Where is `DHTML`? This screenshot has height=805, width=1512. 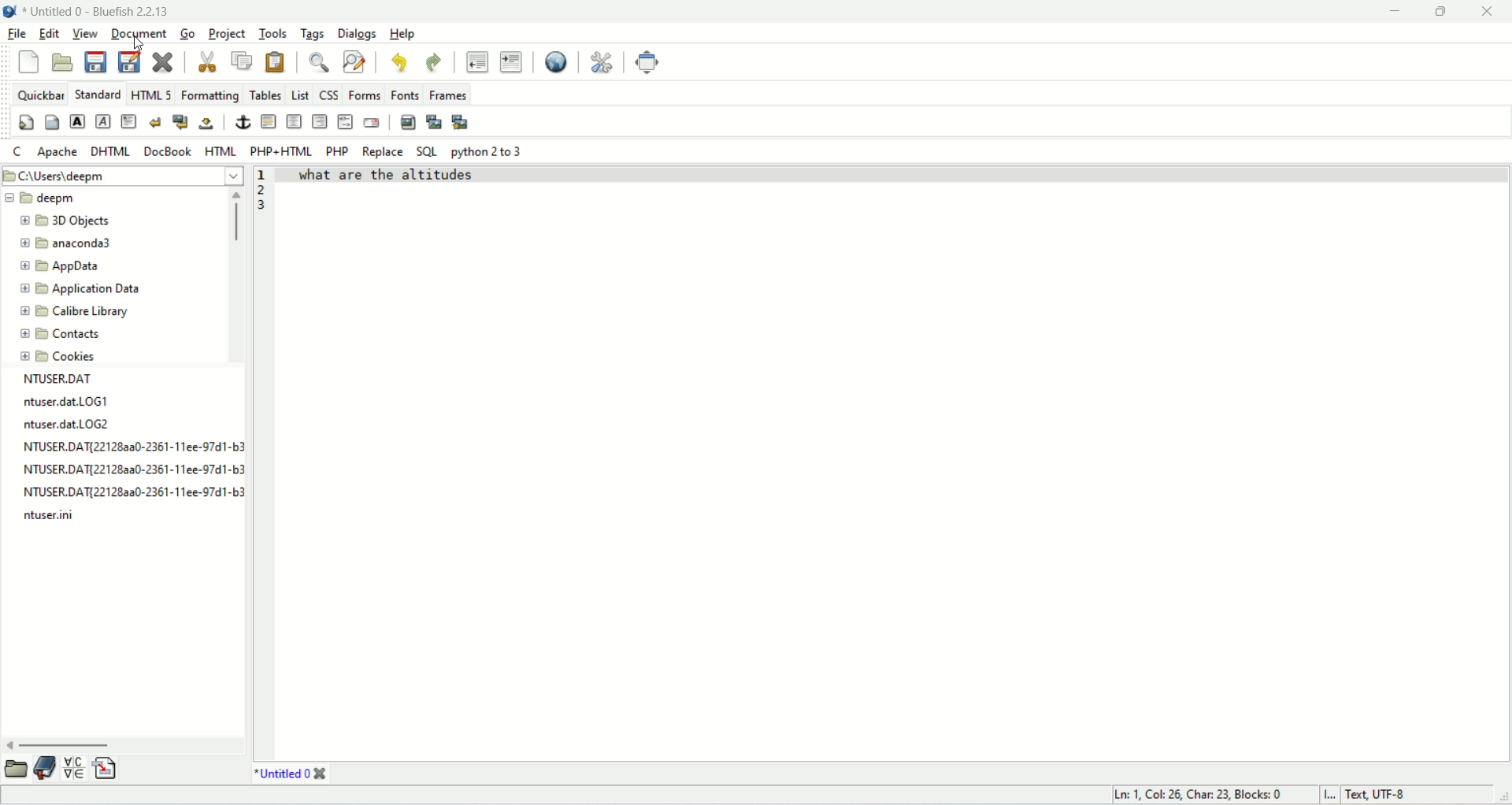
DHTML is located at coordinates (112, 152).